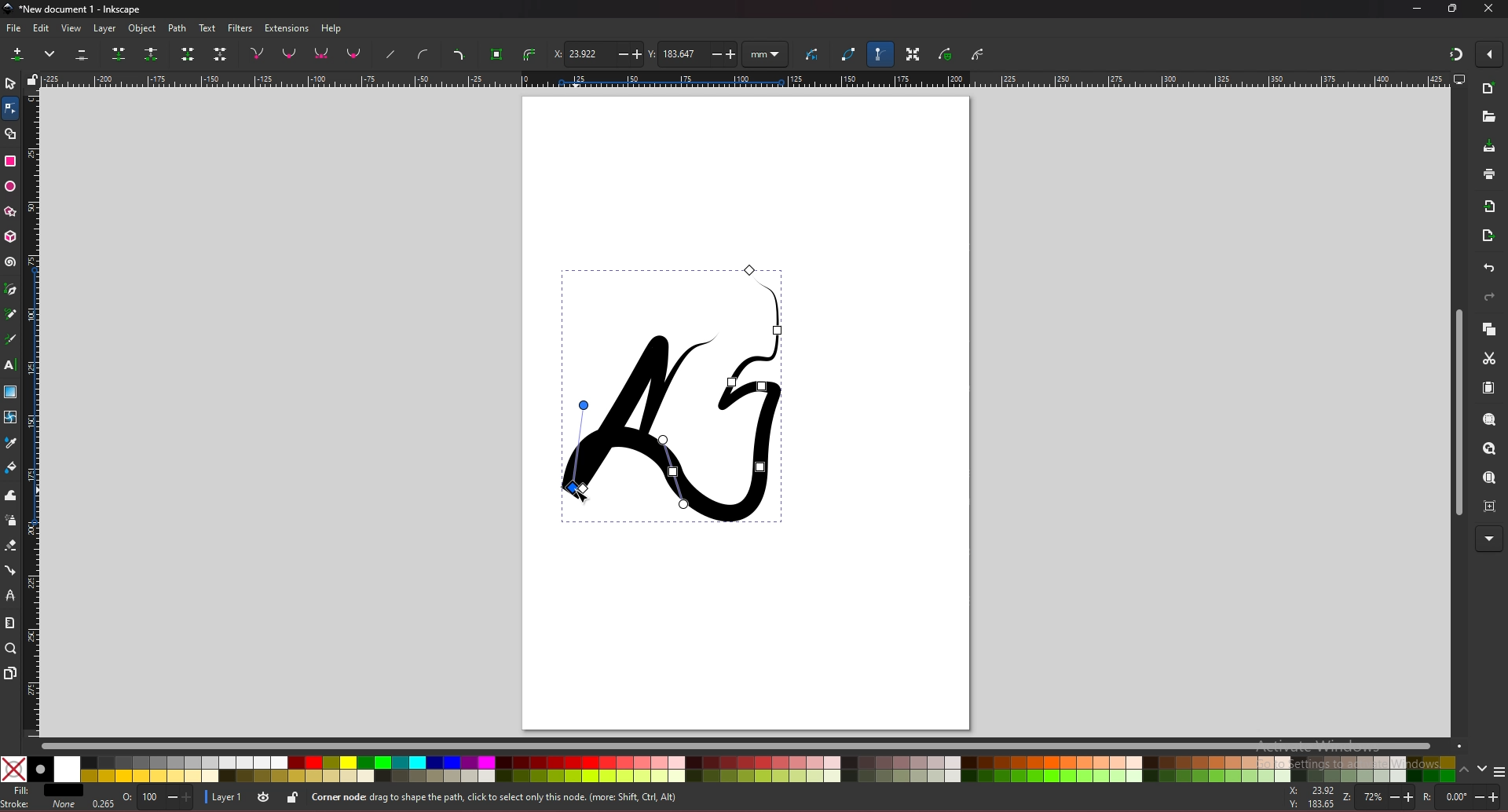  I want to click on show mask, so click(946, 53).